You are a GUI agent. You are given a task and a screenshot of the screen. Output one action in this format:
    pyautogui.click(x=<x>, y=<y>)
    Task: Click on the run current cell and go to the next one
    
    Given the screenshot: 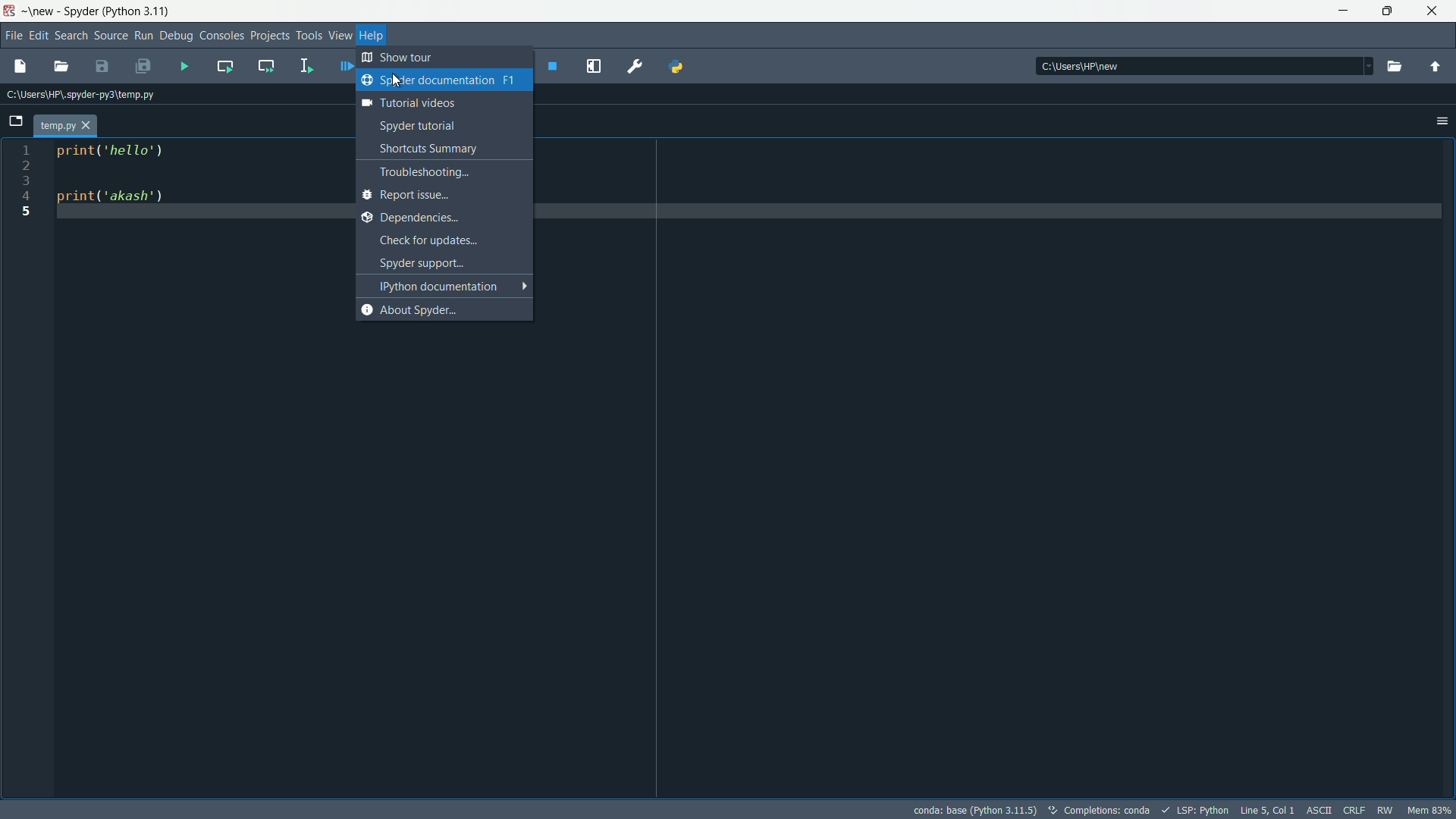 What is the action you would take?
    pyautogui.click(x=266, y=66)
    